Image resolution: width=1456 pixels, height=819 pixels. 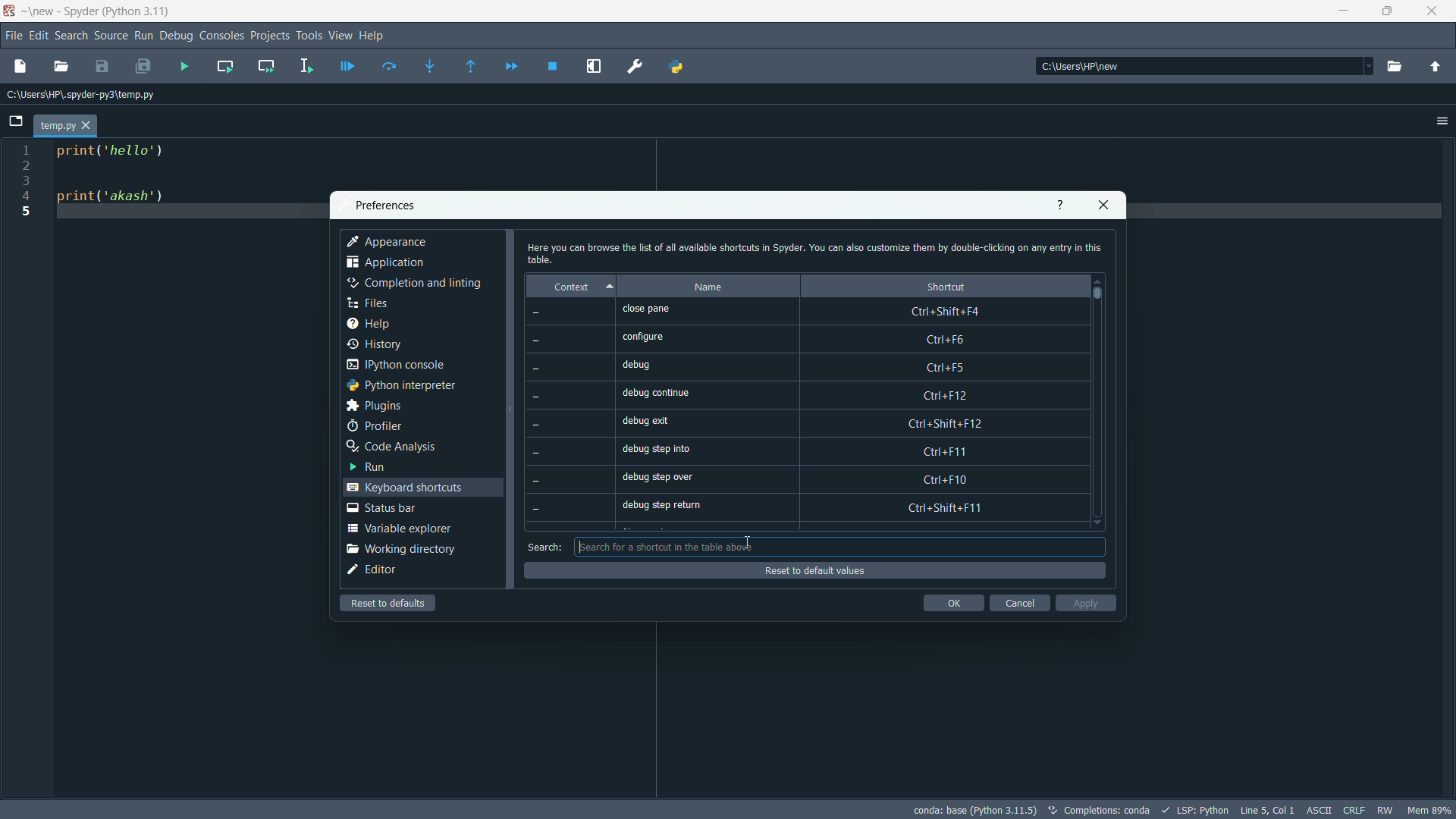 What do you see at coordinates (398, 529) in the screenshot?
I see `variable explore` at bounding box center [398, 529].